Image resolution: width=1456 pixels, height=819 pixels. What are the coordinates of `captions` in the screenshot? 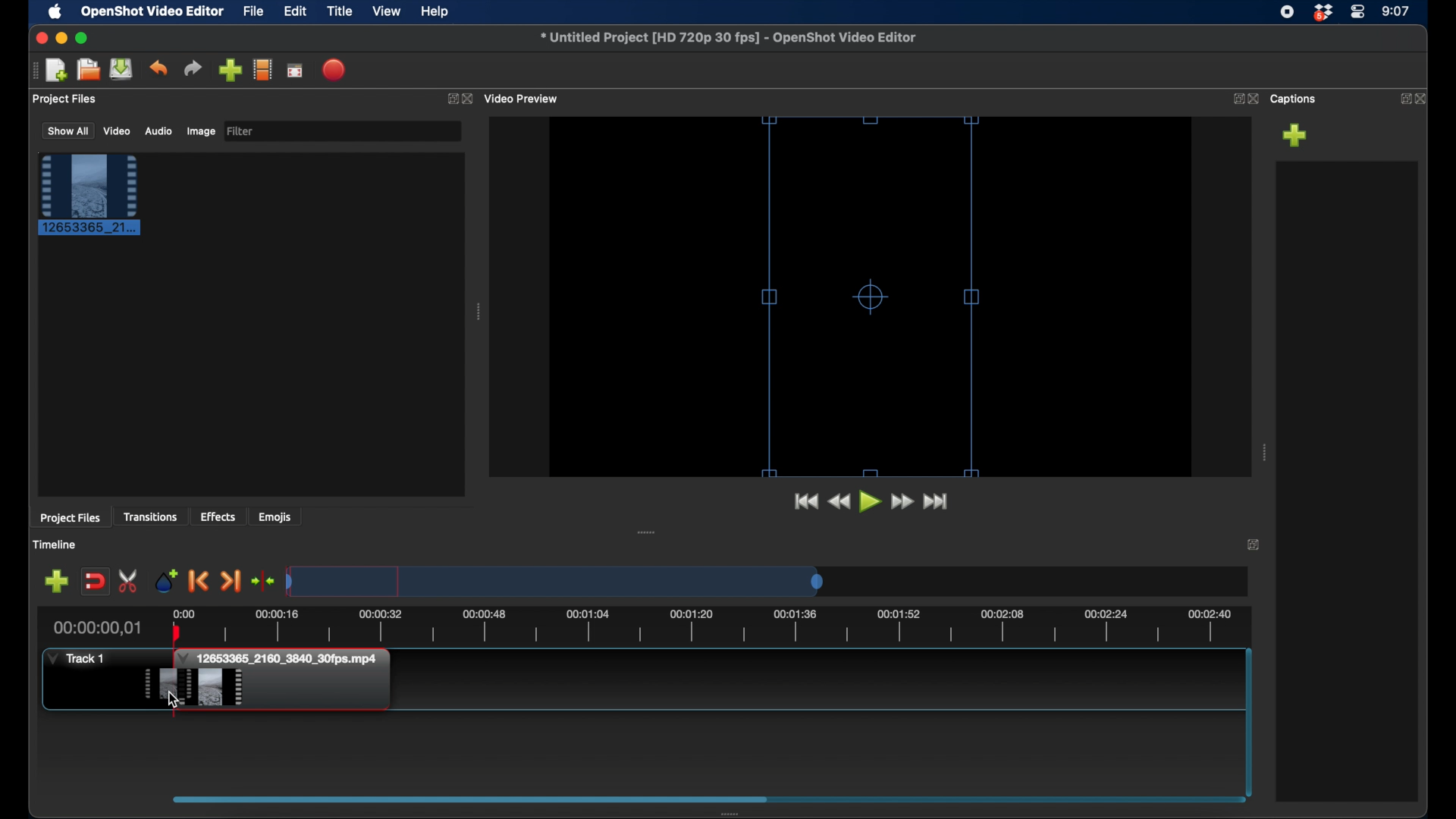 It's located at (1295, 99).